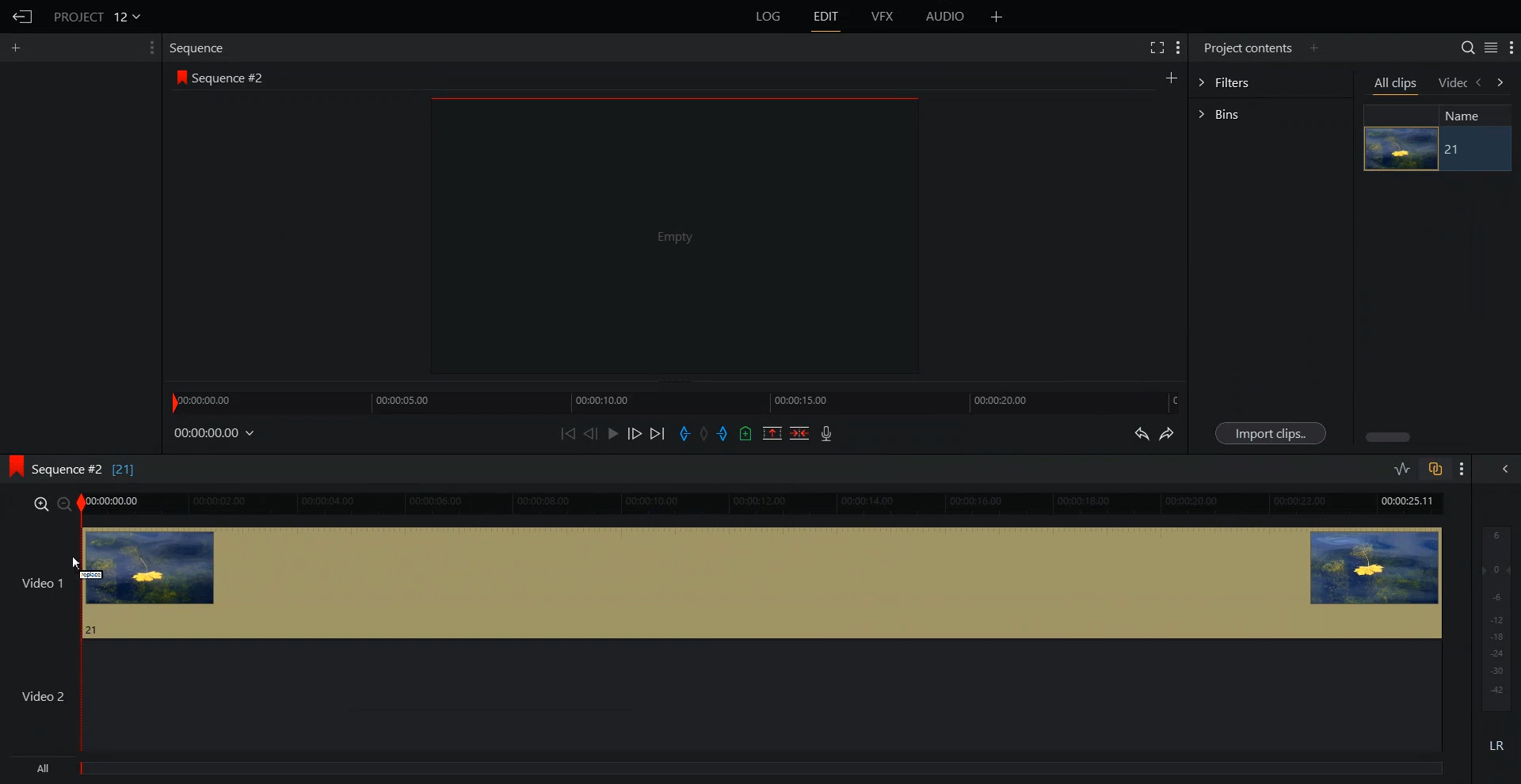 Image resolution: width=1521 pixels, height=784 pixels. Describe the element at coordinates (99, 16) in the screenshot. I see `File Name` at that location.